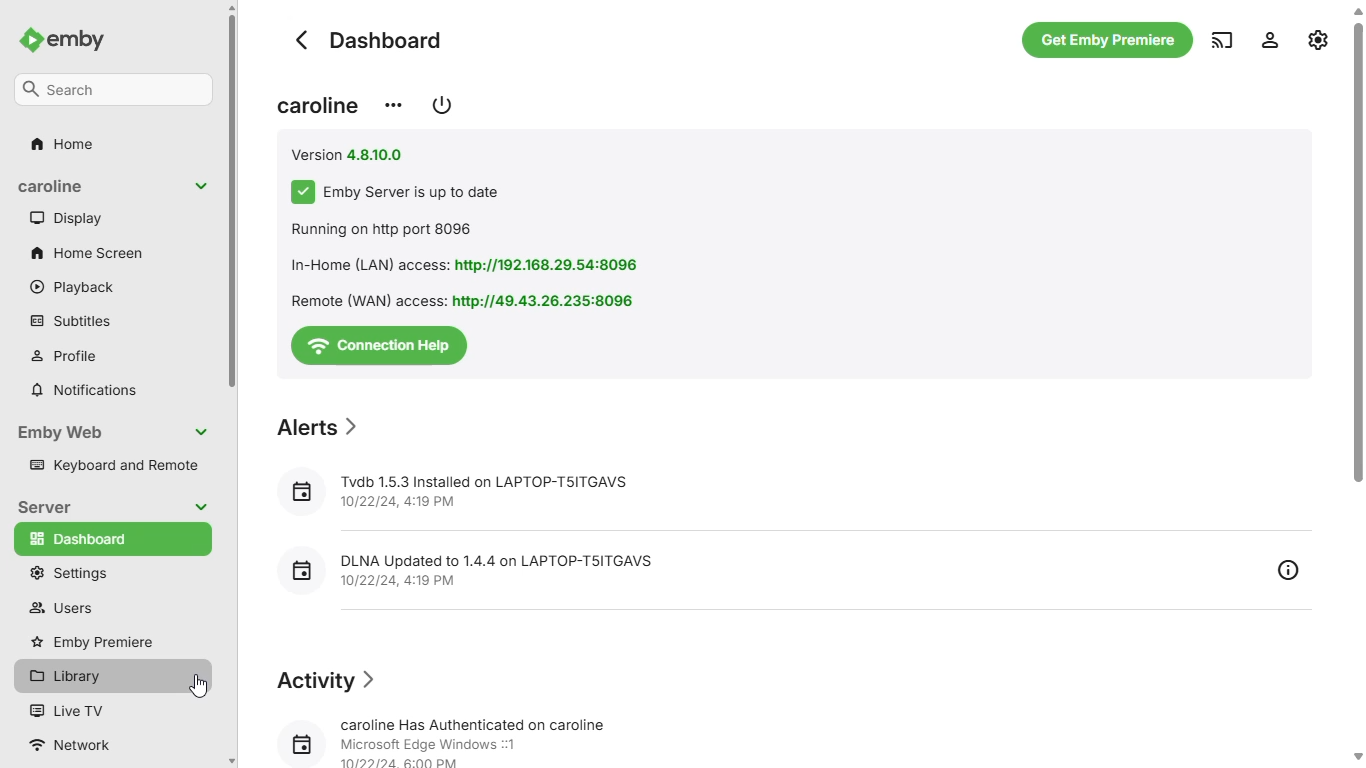  I want to click on get emby premiere, so click(1109, 41).